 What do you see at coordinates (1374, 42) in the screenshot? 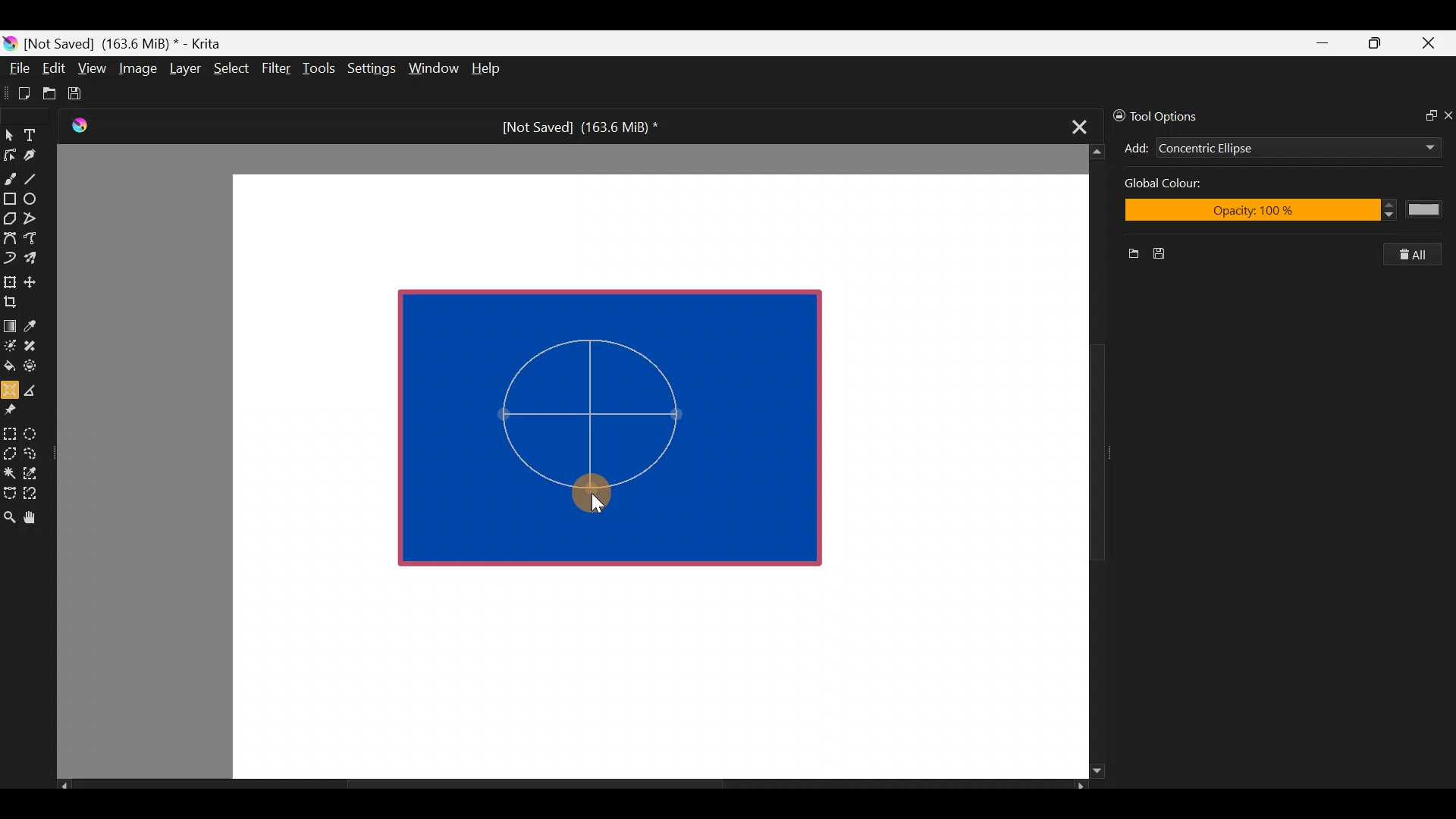
I see `Maximize` at bounding box center [1374, 42].